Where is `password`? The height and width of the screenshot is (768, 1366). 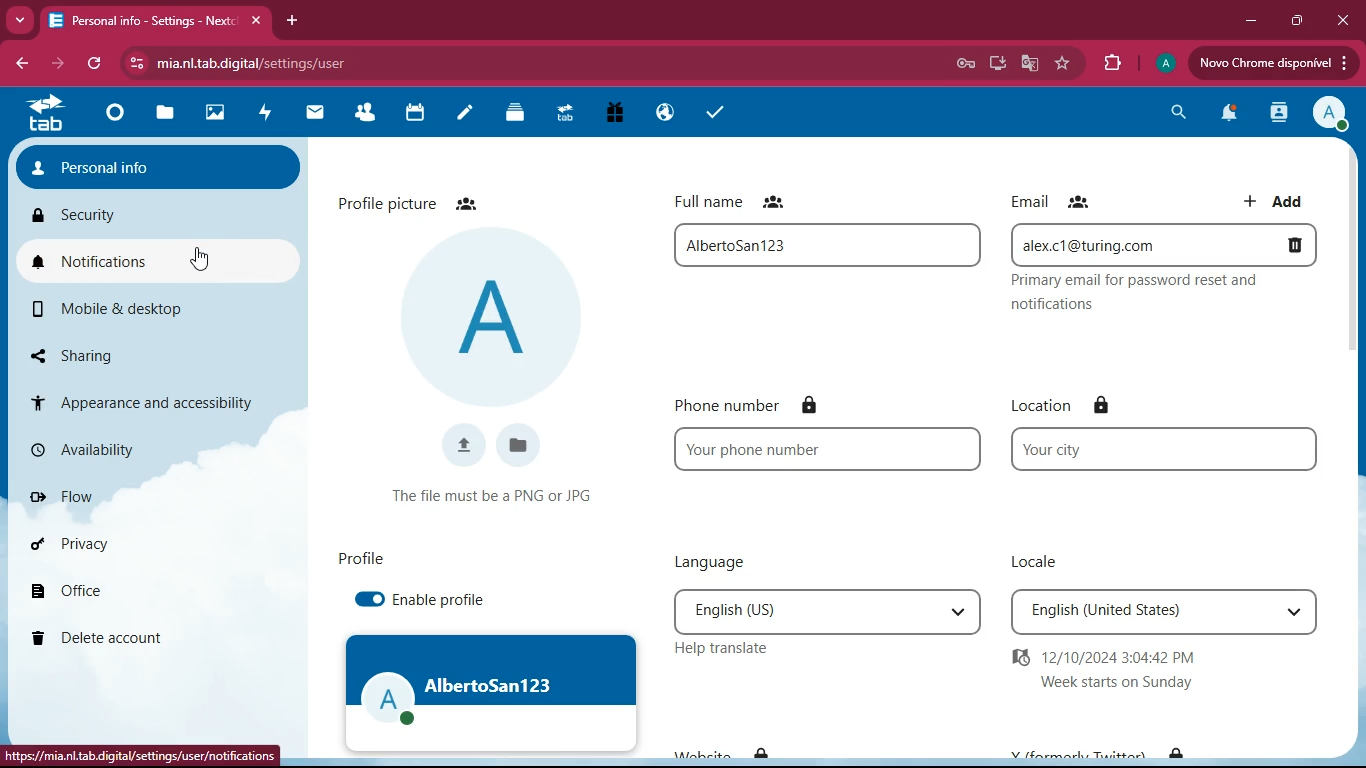 password is located at coordinates (968, 65).